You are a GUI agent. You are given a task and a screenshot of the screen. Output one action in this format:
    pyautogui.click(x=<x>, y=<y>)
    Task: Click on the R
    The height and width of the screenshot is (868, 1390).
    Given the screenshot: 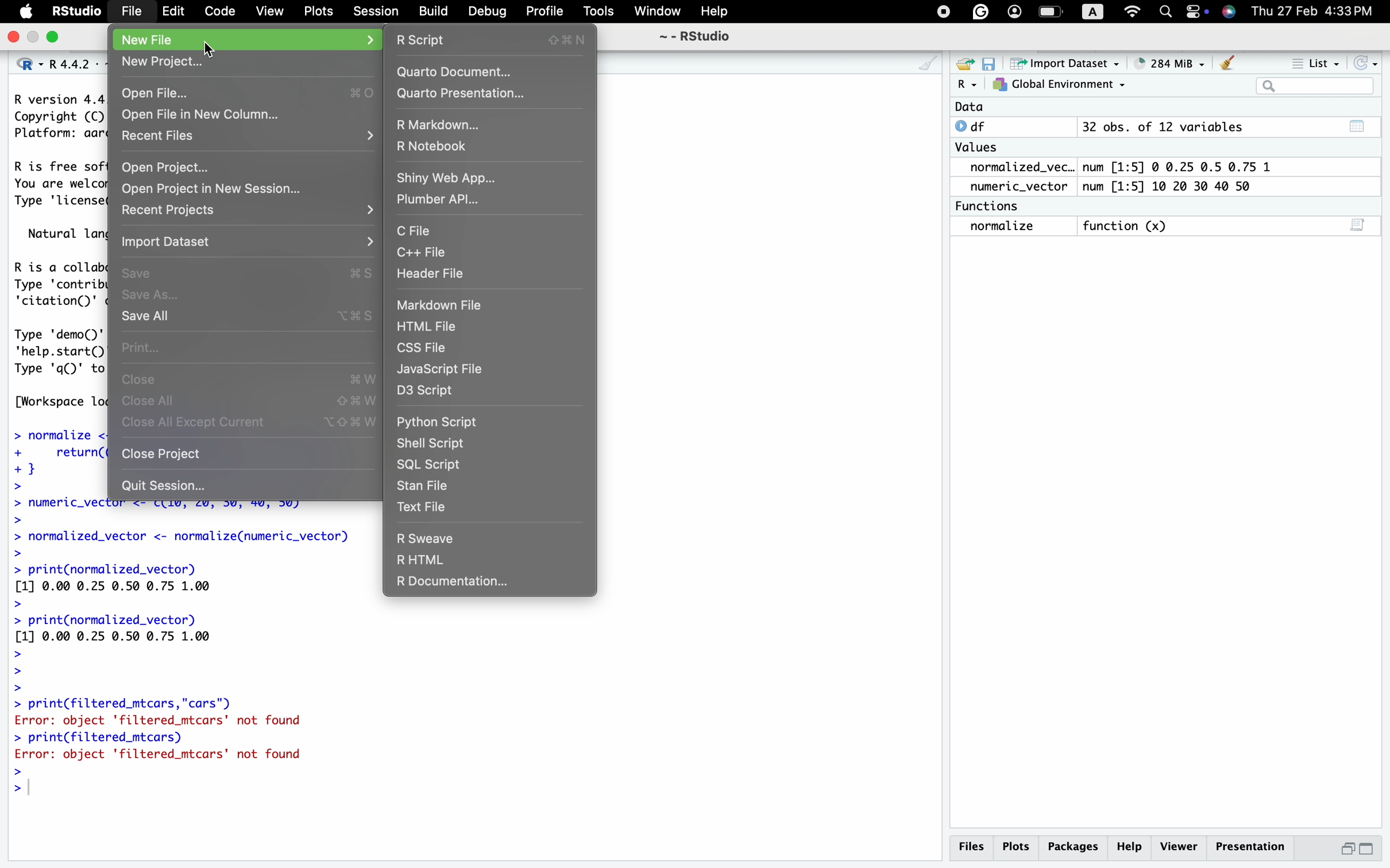 What is the action you would take?
    pyautogui.click(x=966, y=86)
    